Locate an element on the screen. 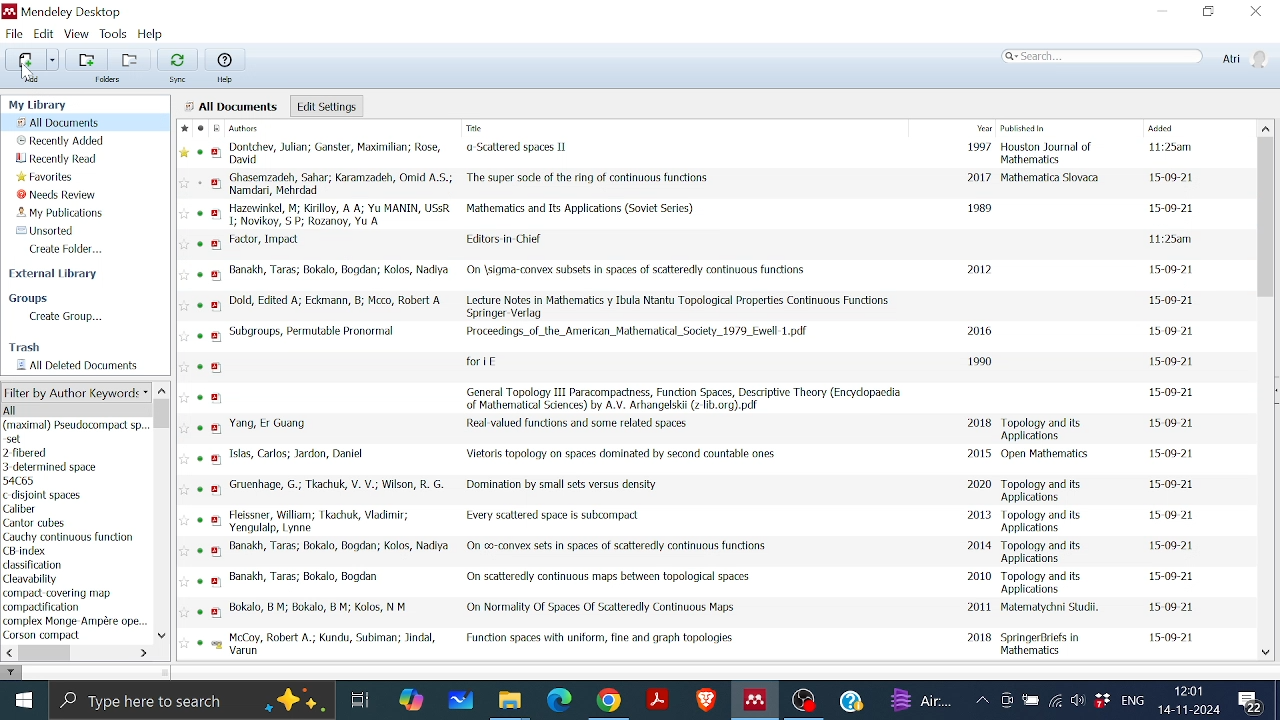  1989 is located at coordinates (978, 208).